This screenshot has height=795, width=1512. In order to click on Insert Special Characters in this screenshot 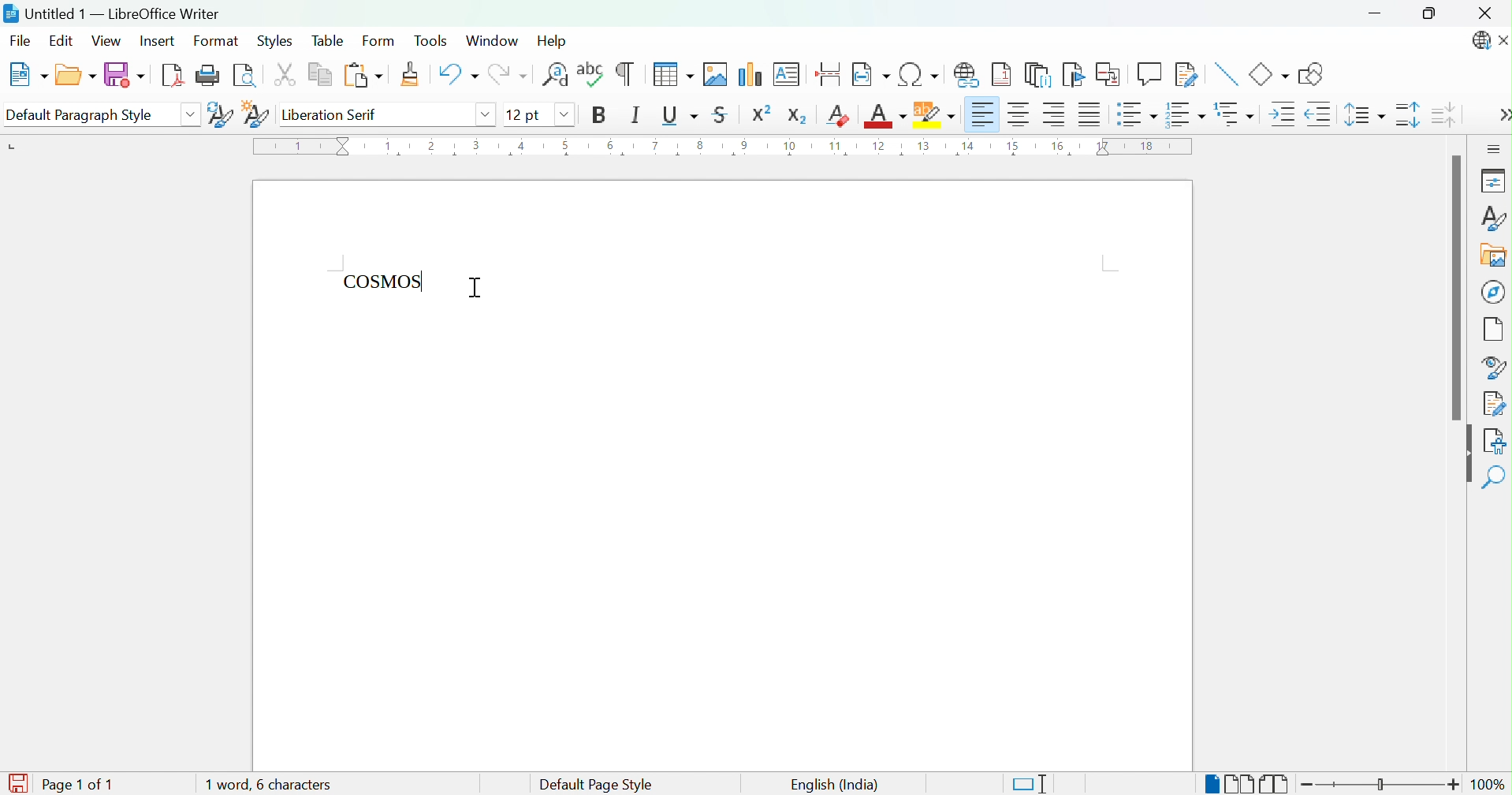, I will do `click(920, 75)`.